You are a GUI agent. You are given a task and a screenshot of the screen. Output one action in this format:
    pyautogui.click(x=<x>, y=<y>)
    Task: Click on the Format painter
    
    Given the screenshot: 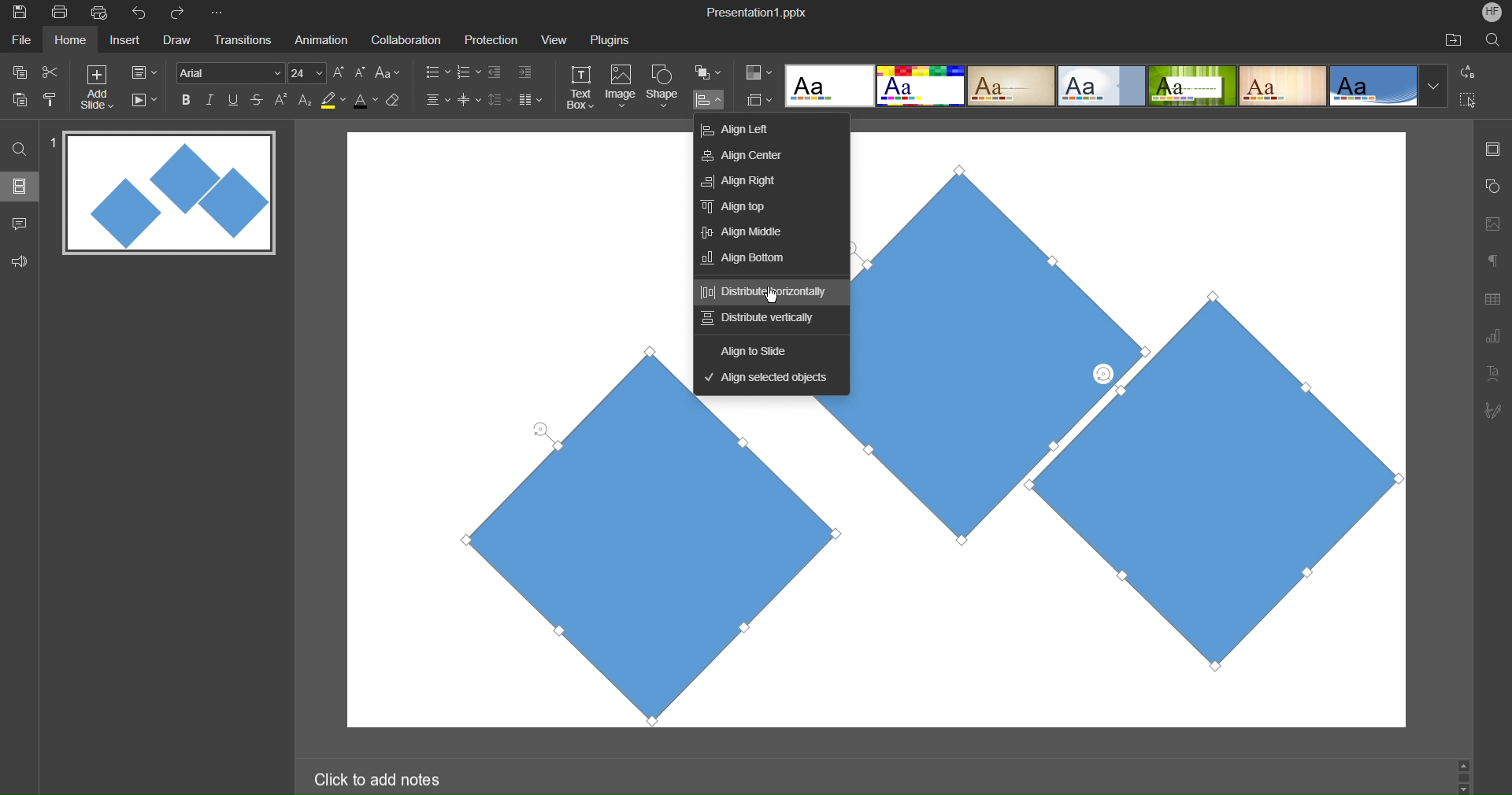 What is the action you would take?
    pyautogui.click(x=53, y=99)
    